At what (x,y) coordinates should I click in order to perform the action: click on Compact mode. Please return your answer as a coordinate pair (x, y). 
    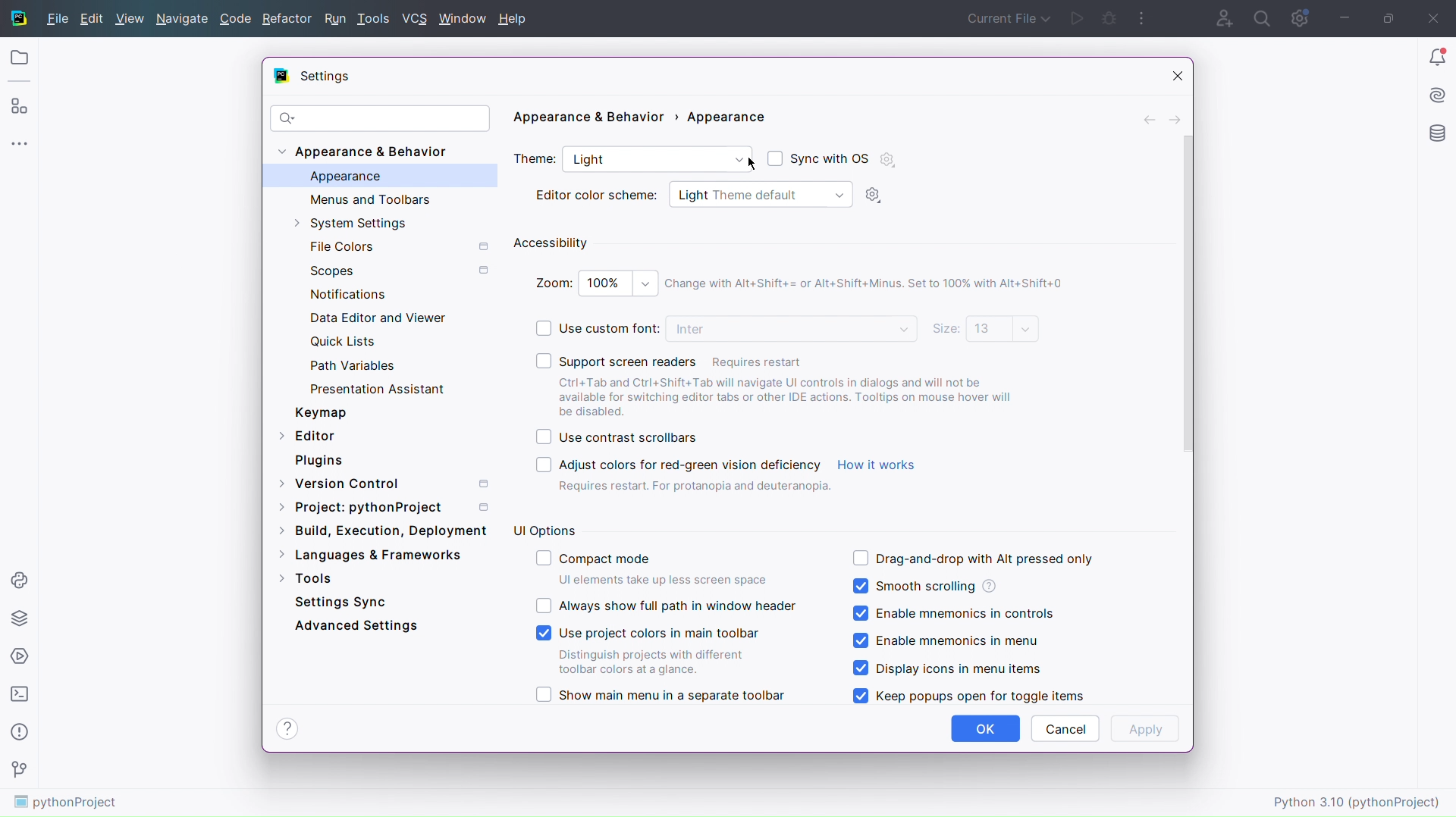
    Looking at the image, I should click on (655, 568).